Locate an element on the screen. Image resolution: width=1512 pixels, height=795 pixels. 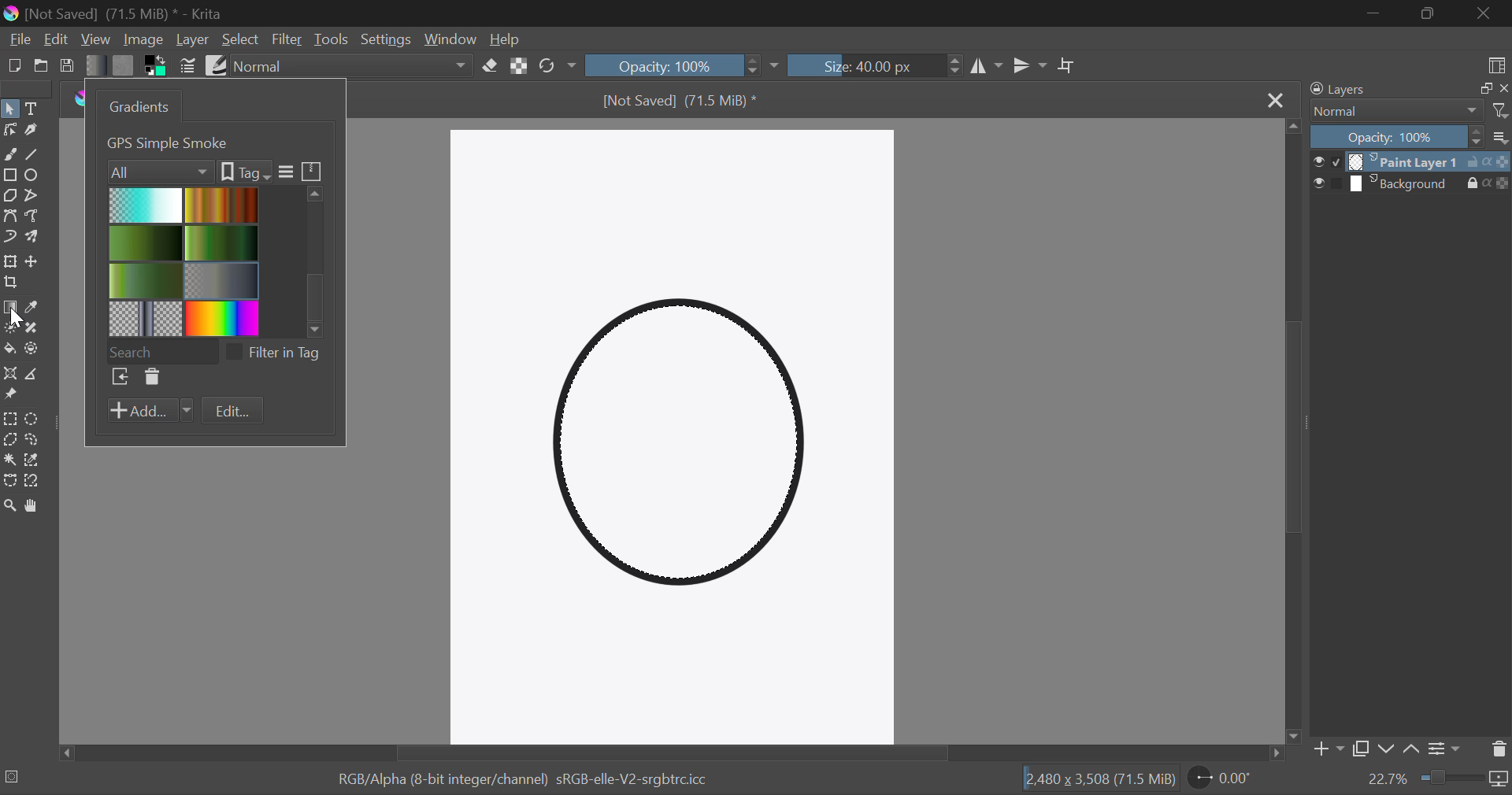
Freehand Selection is located at coordinates (36, 438).